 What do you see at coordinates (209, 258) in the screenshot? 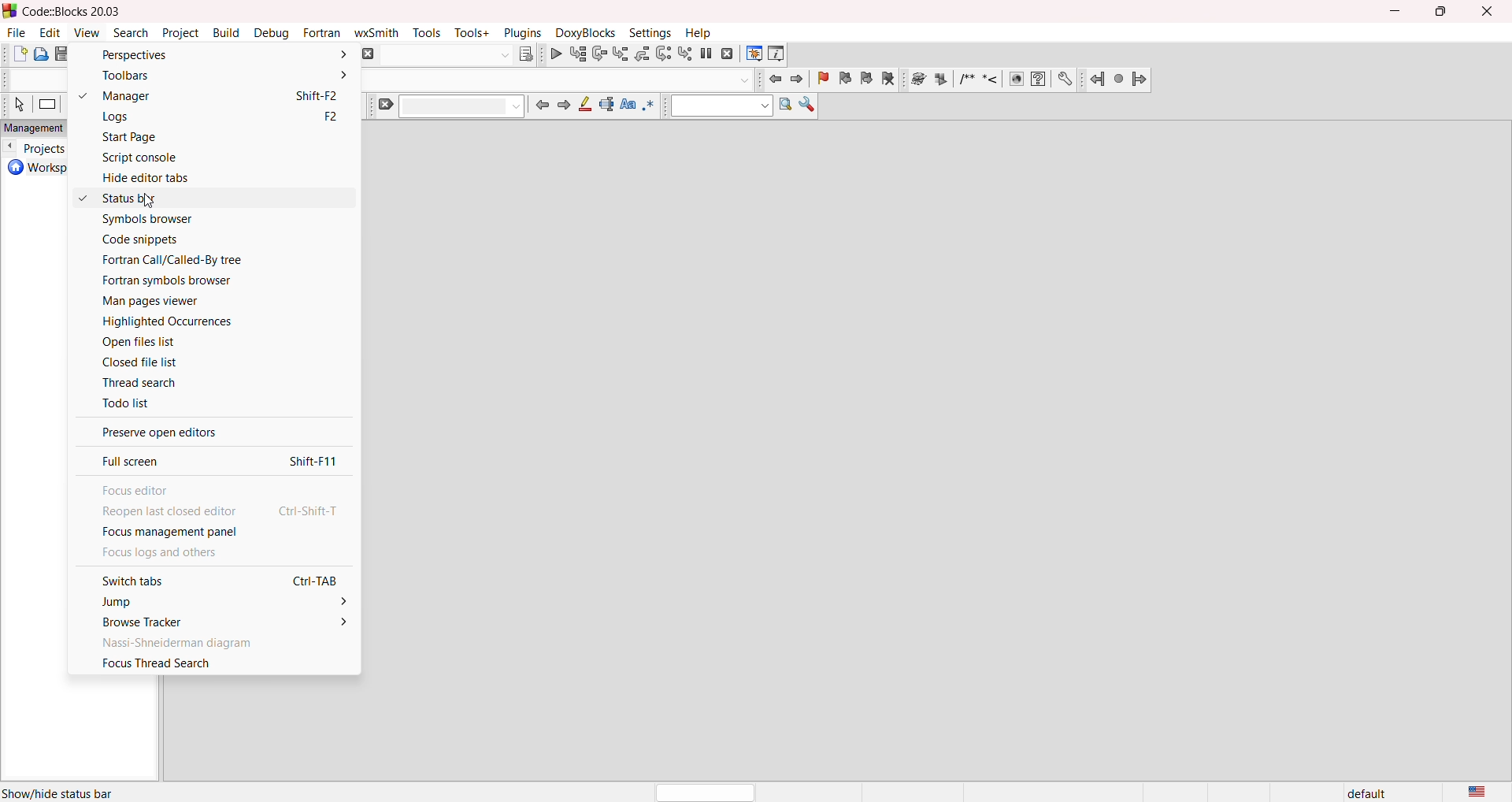
I see `fortran call/called-by tree` at bounding box center [209, 258].